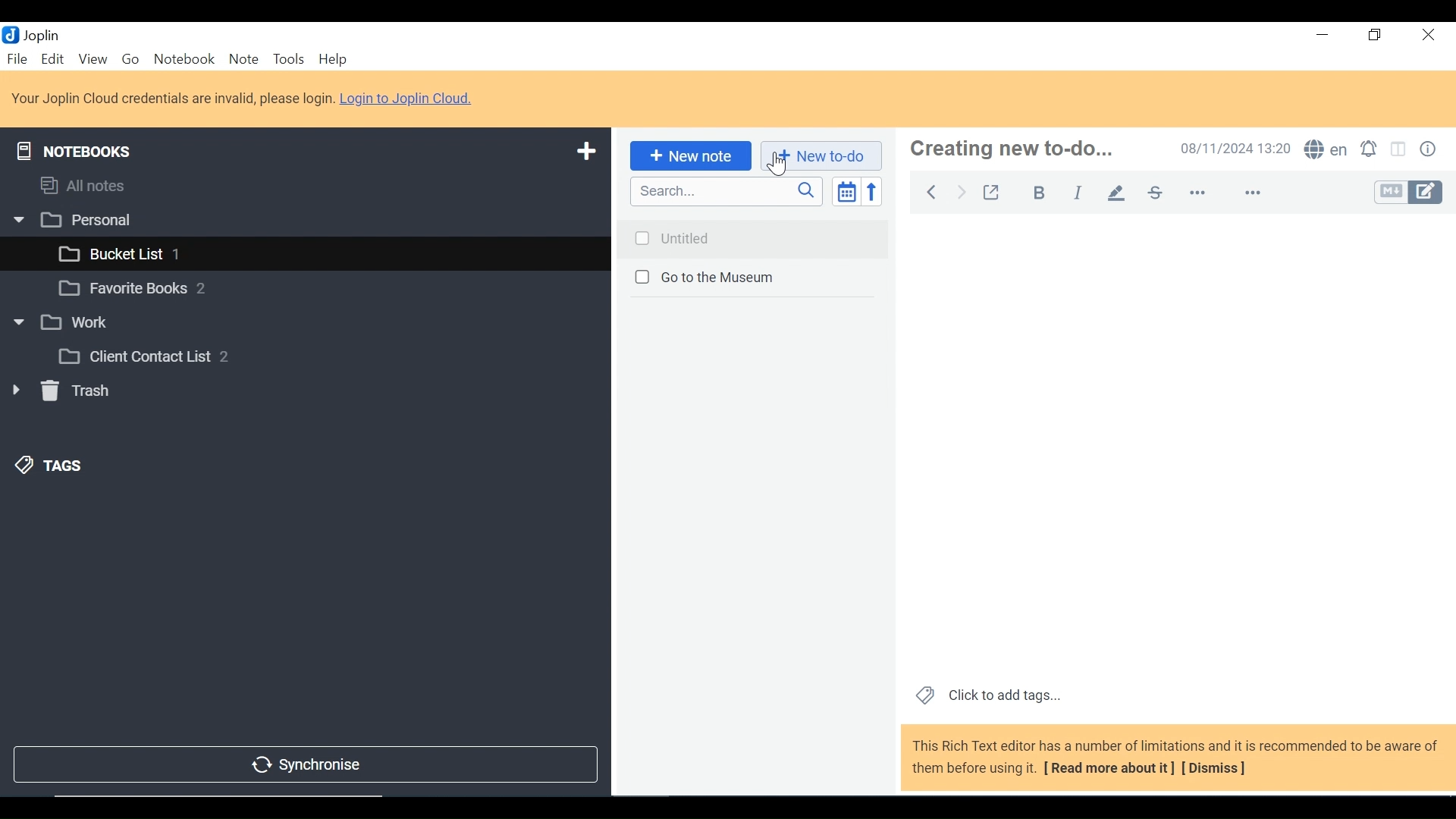 The width and height of the screenshot is (1456, 819). What do you see at coordinates (303, 185) in the screenshot?
I see `Notebooks and Tags Display` at bounding box center [303, 185].